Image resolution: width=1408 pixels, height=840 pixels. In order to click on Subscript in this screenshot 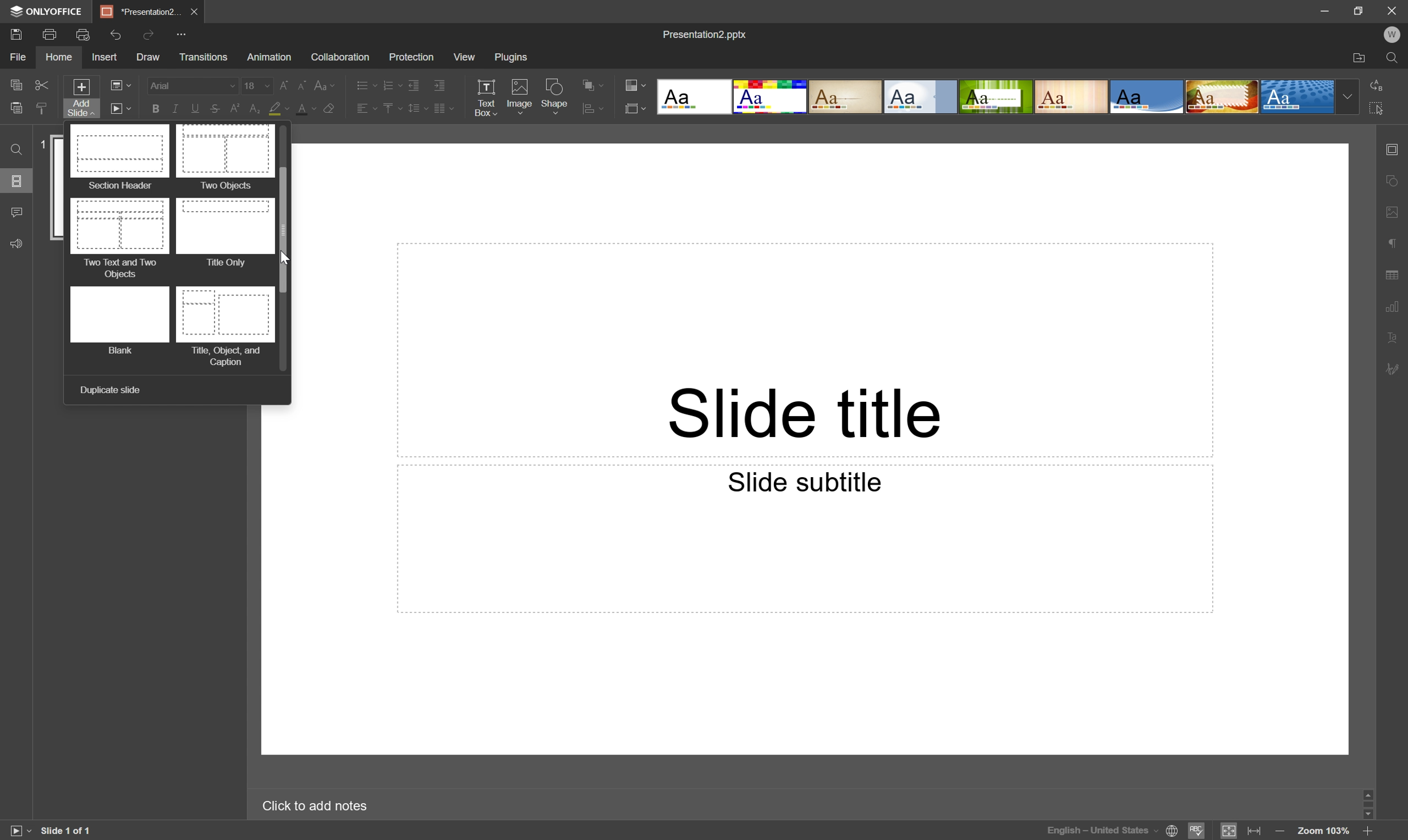, I will do `click(257, 107)`.